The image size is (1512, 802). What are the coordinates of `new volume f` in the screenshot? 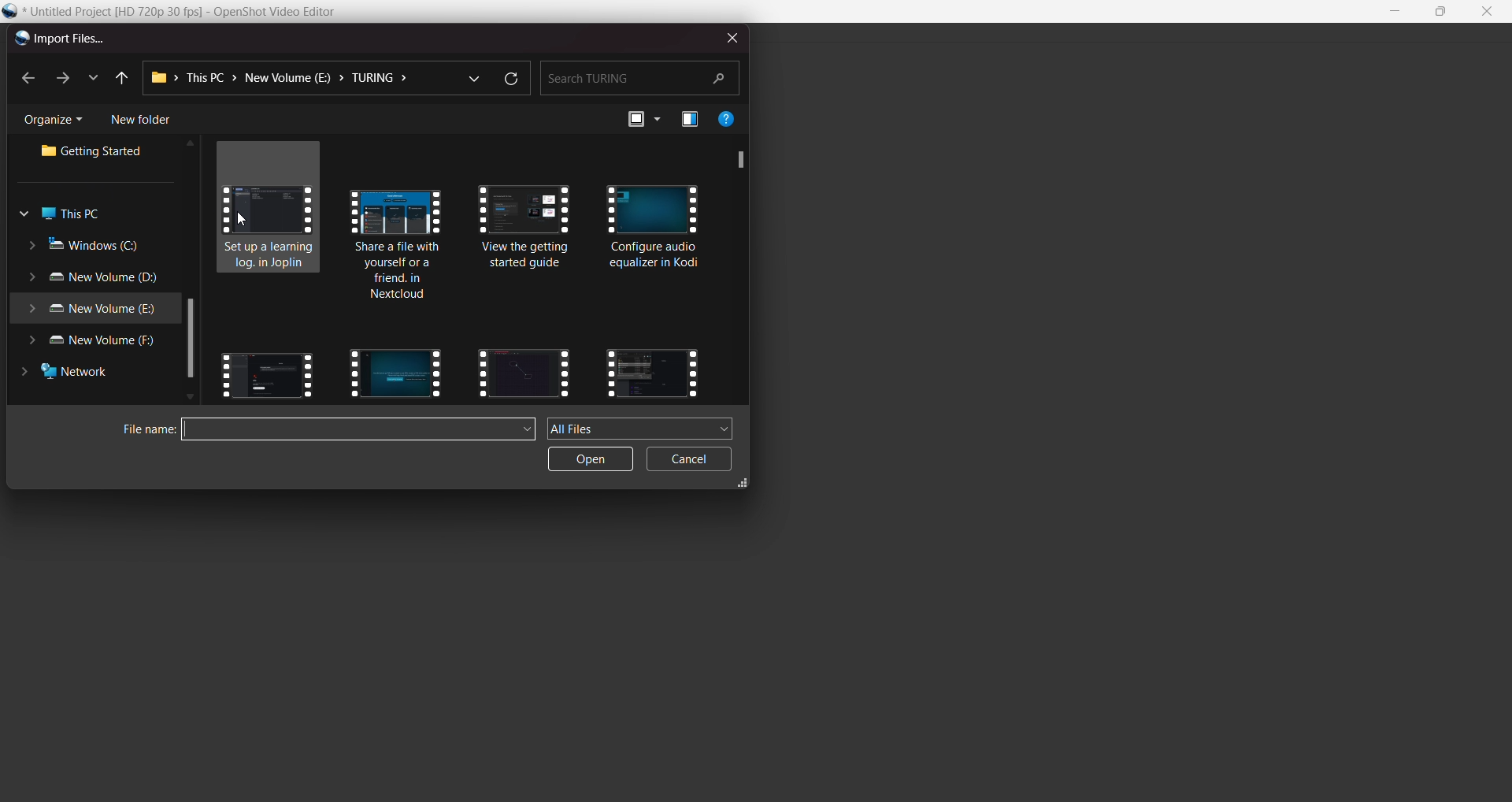 It's located at (98, 343).